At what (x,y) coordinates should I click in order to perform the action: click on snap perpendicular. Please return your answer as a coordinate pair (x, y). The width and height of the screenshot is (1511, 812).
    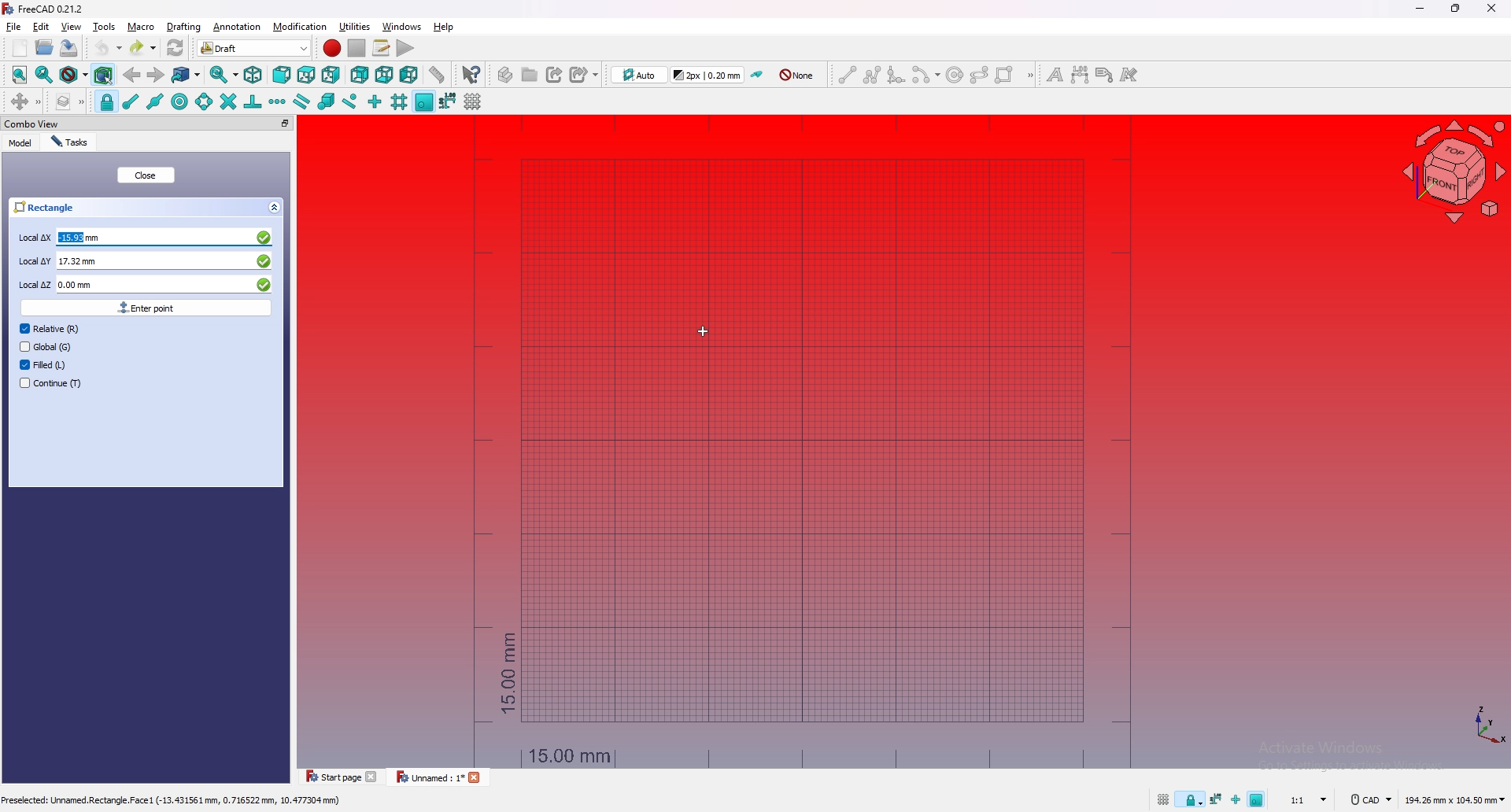
    Looking at the image, I should click on (253, 102).